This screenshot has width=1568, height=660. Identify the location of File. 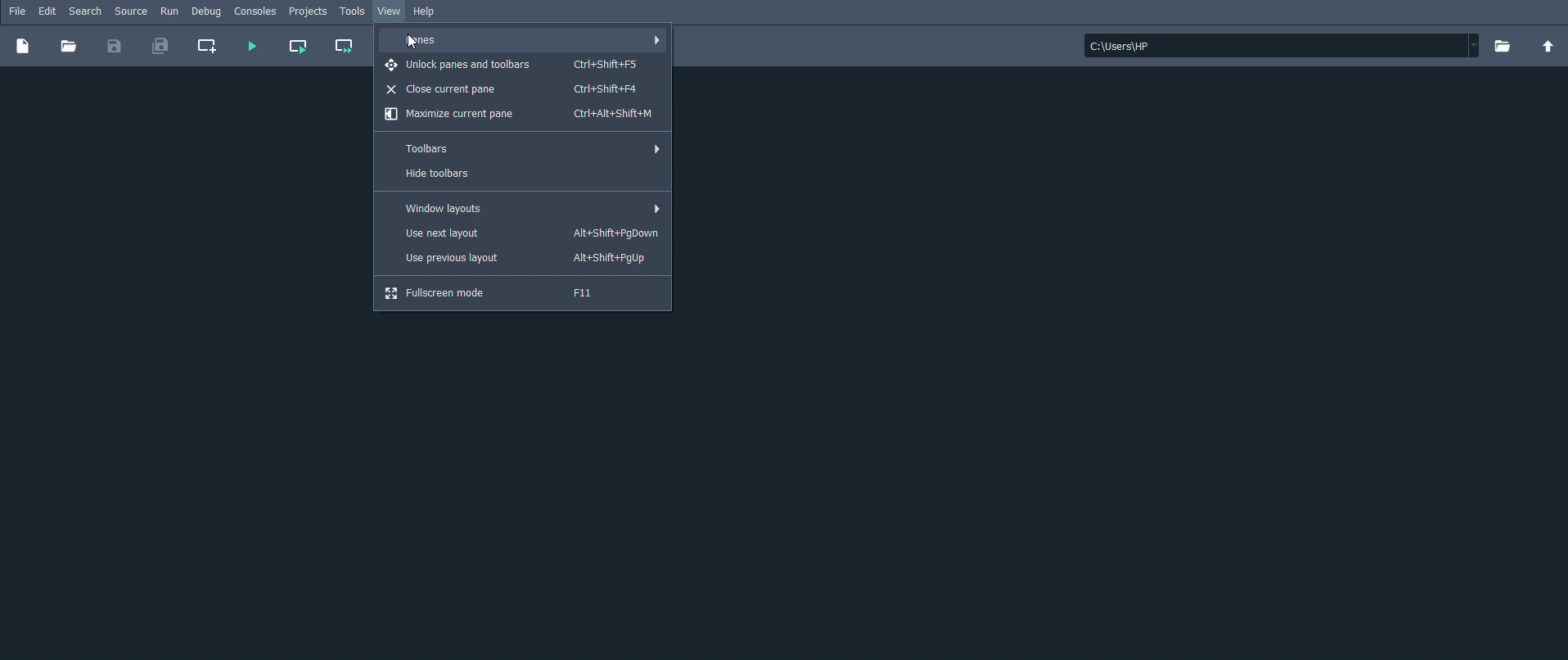
(18, 11).